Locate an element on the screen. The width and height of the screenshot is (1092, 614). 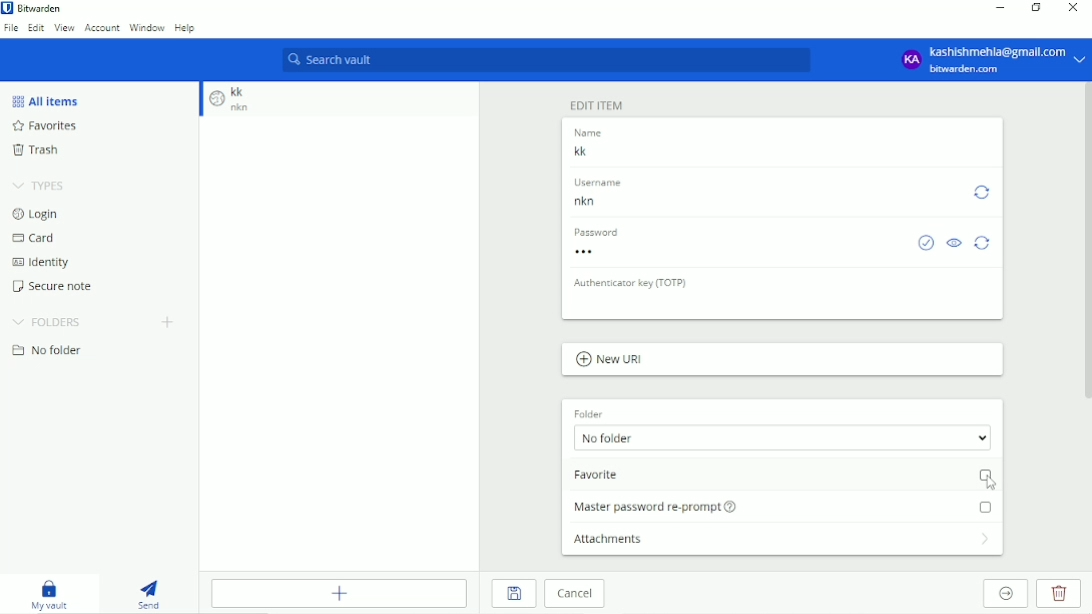
Window is located at coordinates (147, 28).